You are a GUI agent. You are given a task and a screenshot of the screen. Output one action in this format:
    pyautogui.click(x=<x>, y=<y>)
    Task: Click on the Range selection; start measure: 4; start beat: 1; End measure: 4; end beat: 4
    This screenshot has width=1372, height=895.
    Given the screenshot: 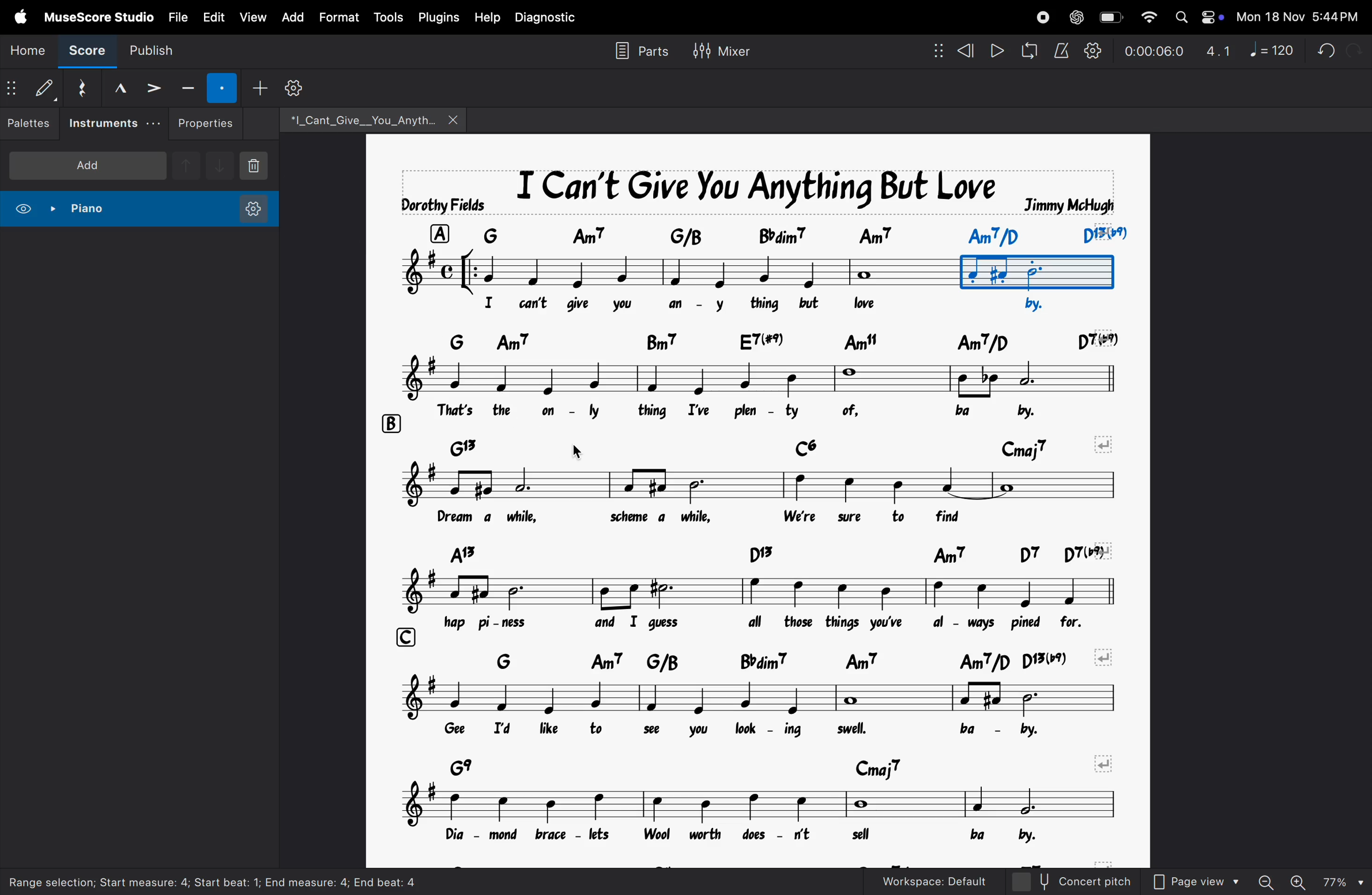 What is the action you would take?
    pyautogui.click(x=217, y=881)
    